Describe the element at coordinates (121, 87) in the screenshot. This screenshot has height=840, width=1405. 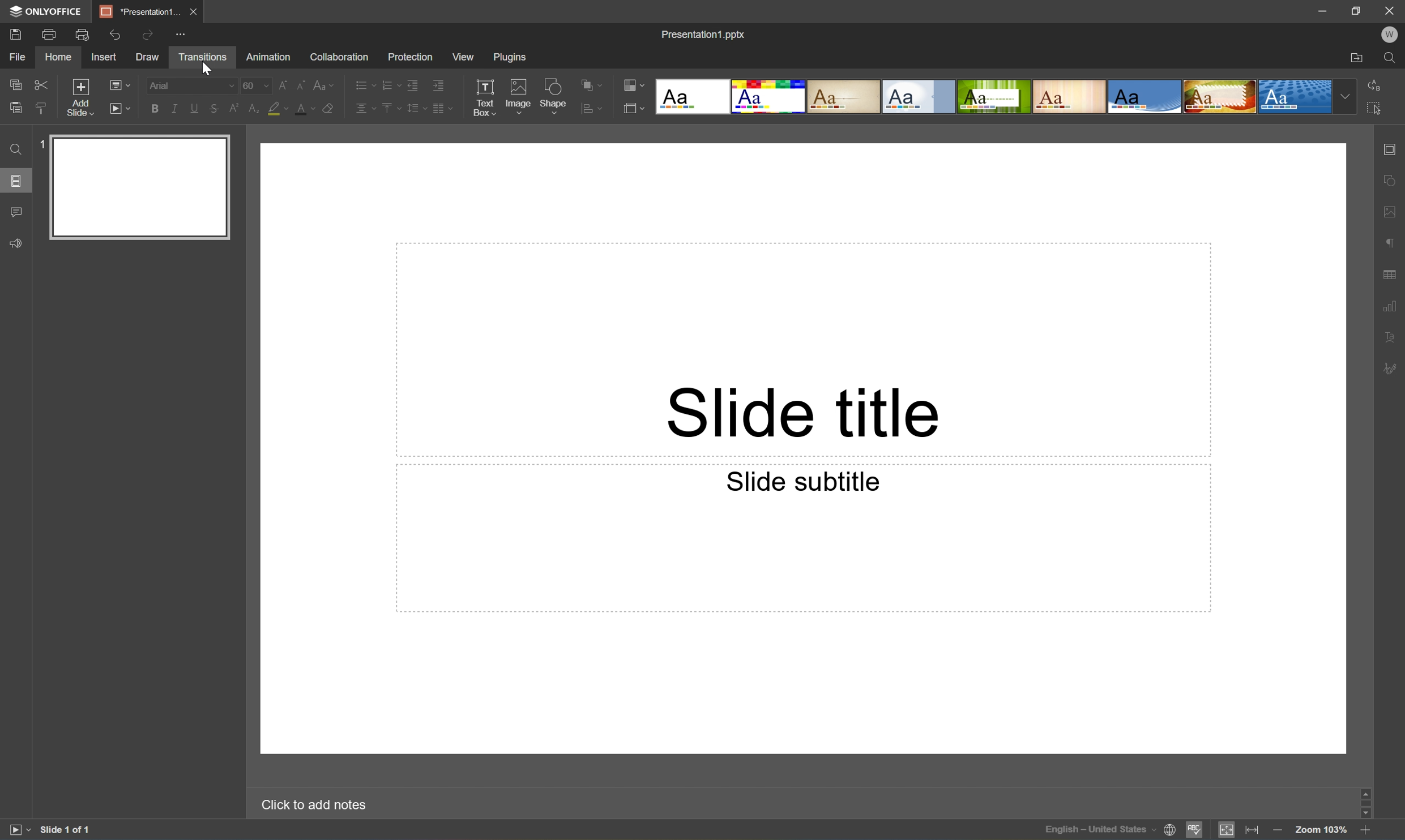
I see `Change slide layout` at that location.